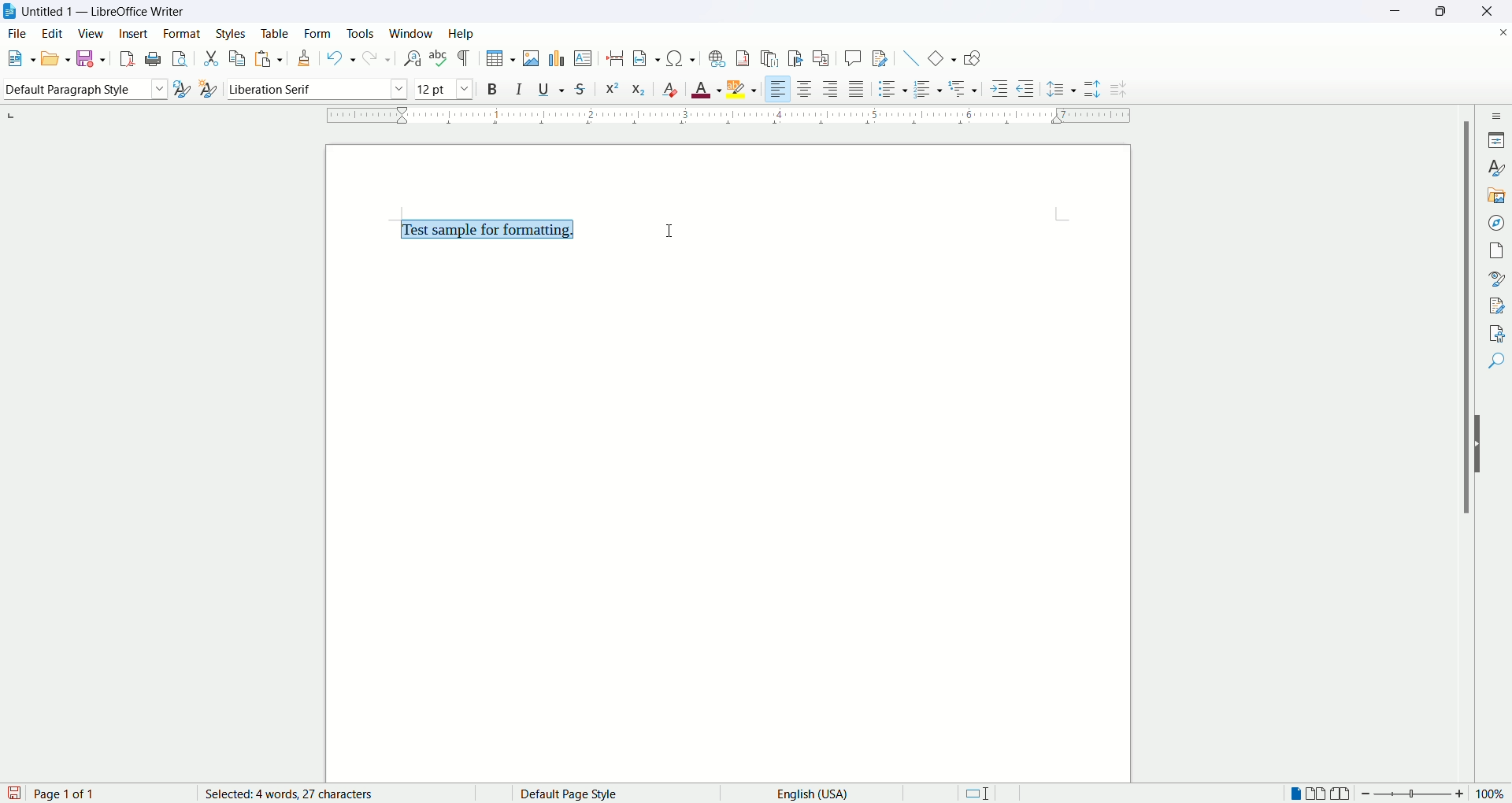 The height and width of the screenshot is (803, 1512). What do you see at coordinates (1477, 442) in the screenshot?
I see `hide` at bounding box center [1477, 442].